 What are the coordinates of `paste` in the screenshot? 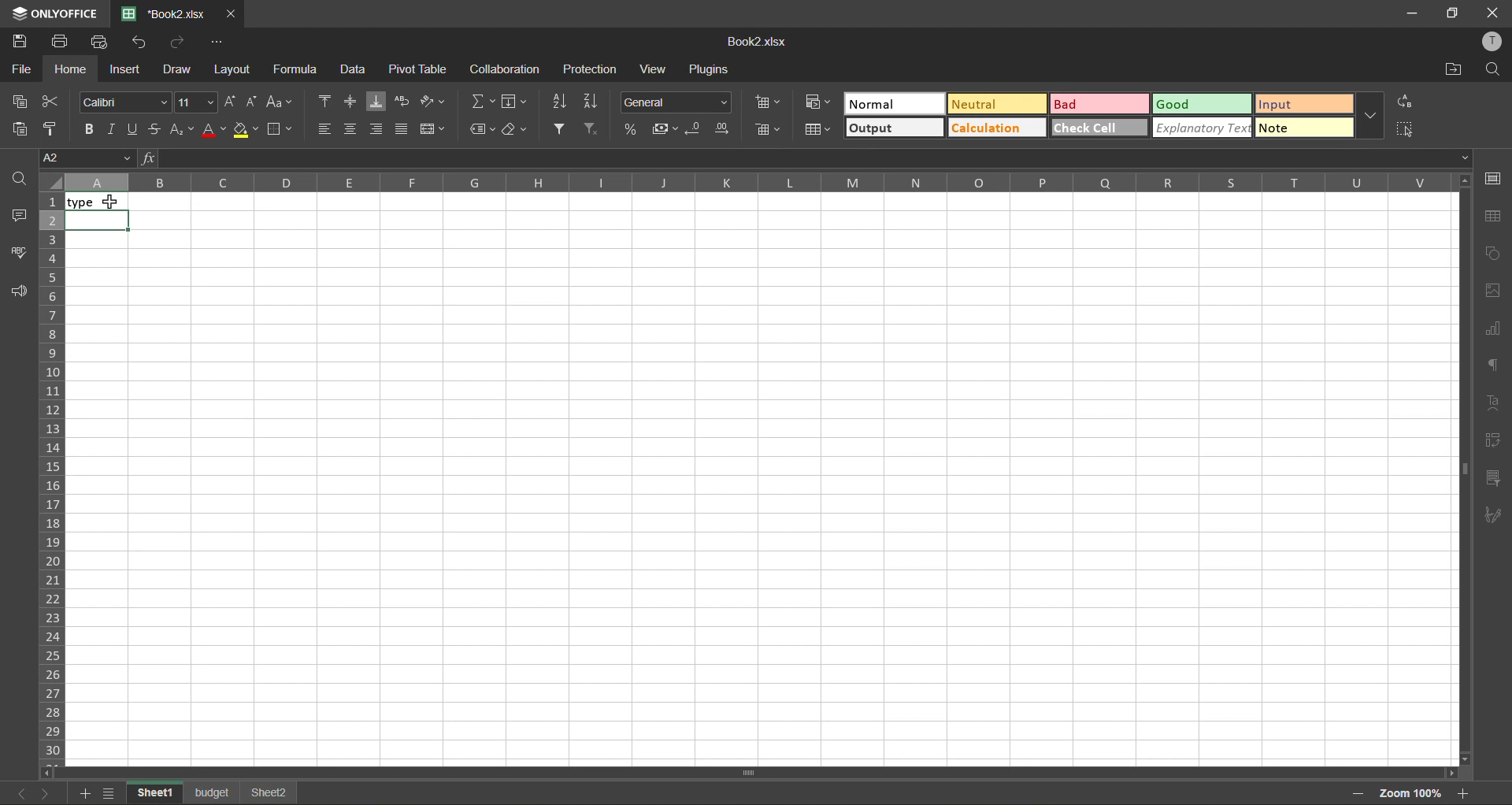 It's located at (22, 128).